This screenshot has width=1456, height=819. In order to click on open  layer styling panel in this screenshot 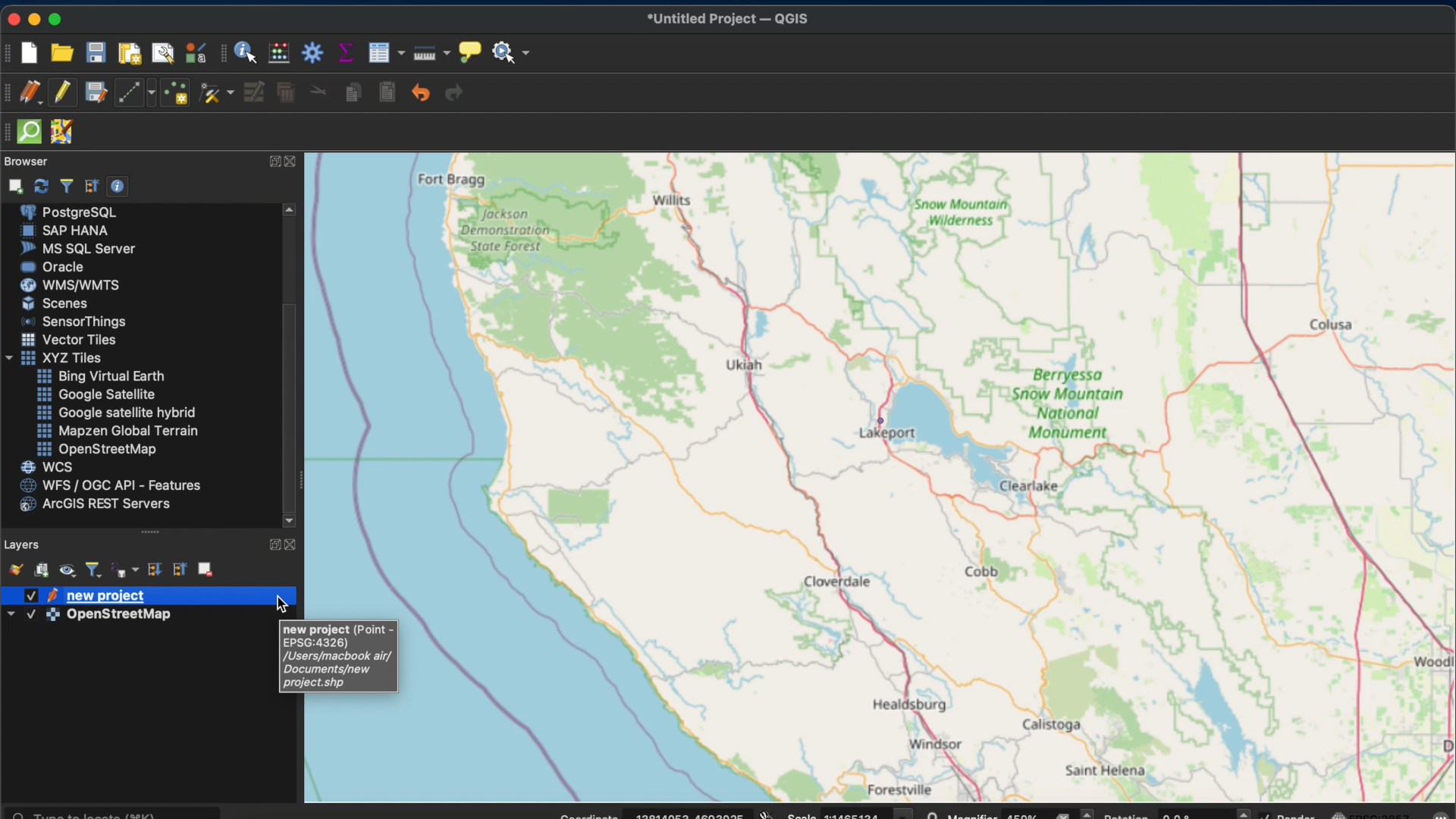, I will do `click(13, 568)`.